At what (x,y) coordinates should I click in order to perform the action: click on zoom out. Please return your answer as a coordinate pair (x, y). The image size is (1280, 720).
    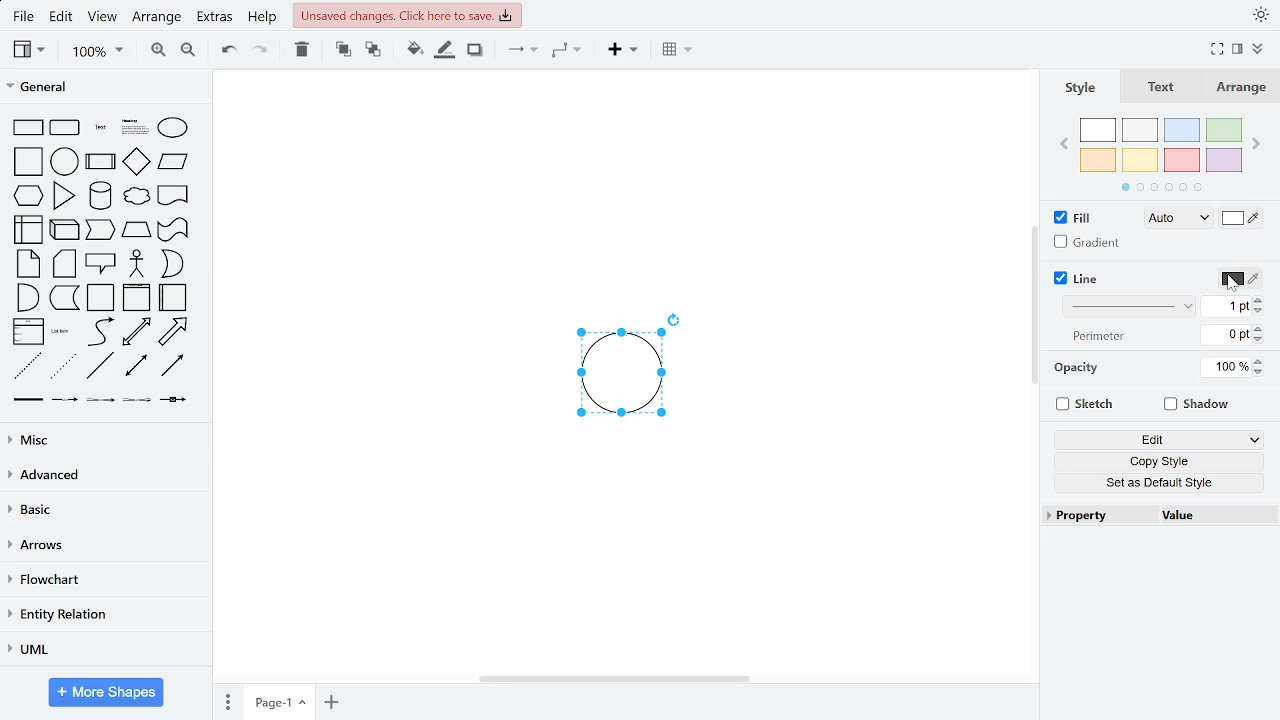
    Looking at the image, I should click on (188, 52).